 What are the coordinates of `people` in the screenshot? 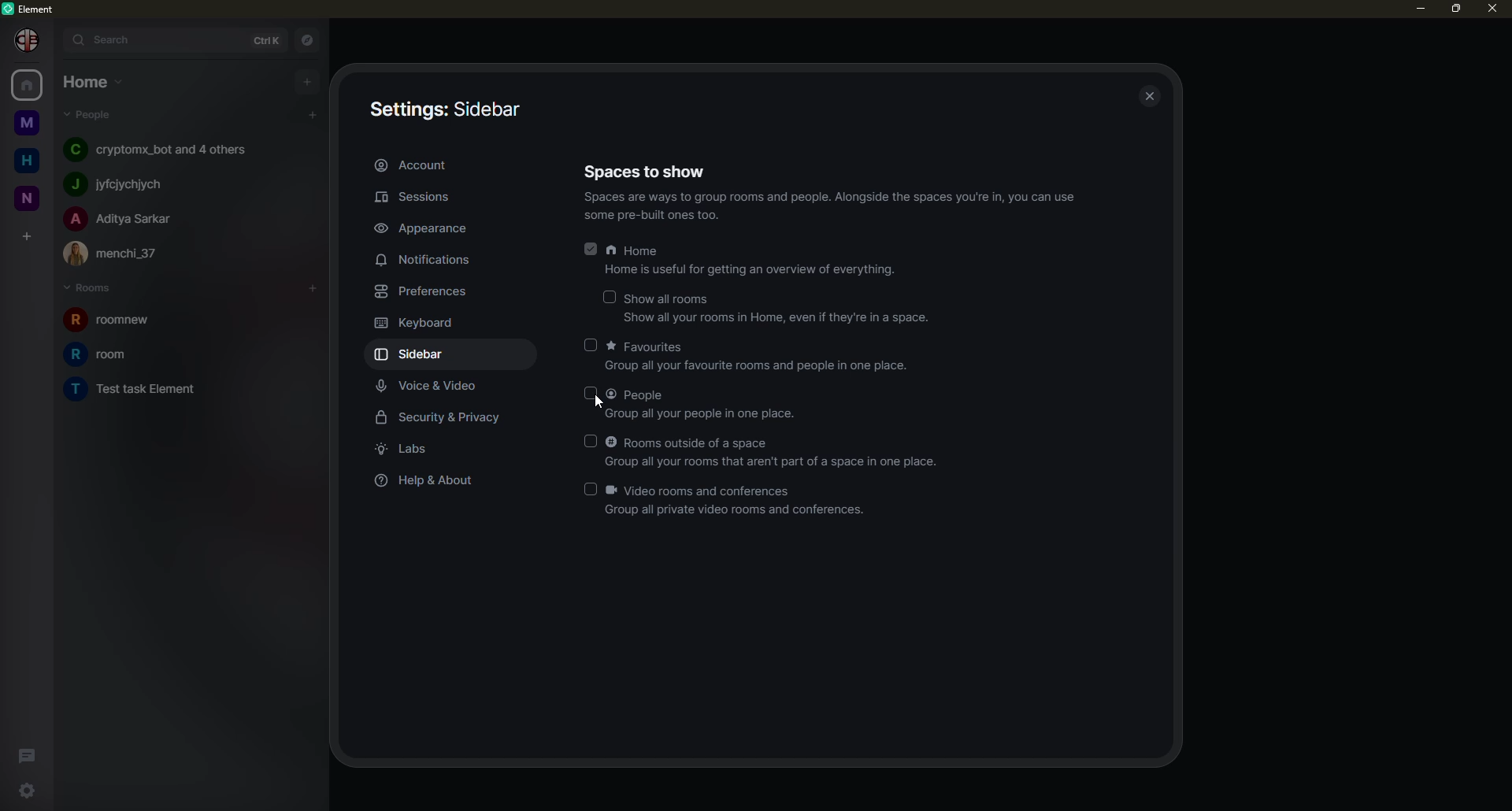 It's located at (95, 115).